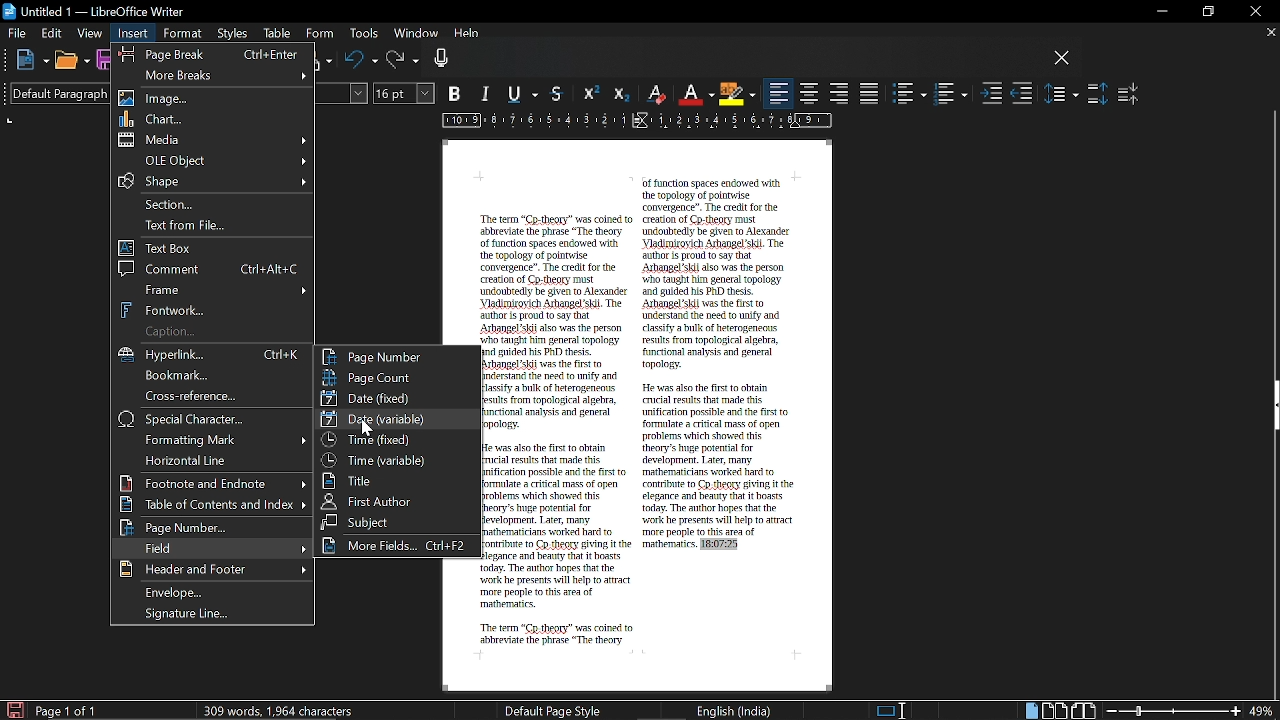 Image resolution: width=1280 pixels, height=720 pixels. What do you see at coordinates (395, 439) in the screenshot?
I see `Time fixed` at bounding box center [395, 439].